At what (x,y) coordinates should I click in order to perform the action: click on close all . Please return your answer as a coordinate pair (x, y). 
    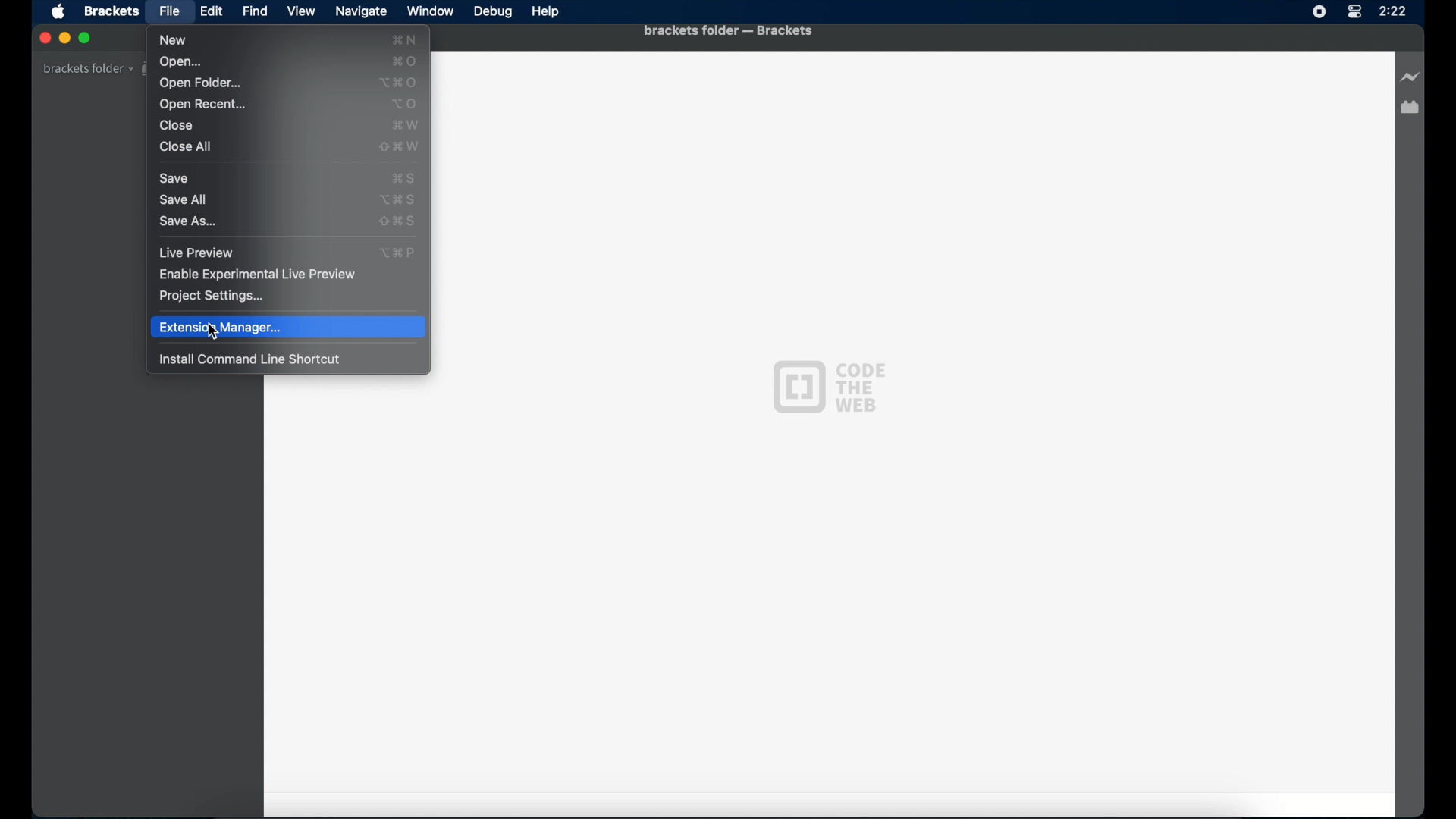
    Looking at the image, I should click on (186, 147).